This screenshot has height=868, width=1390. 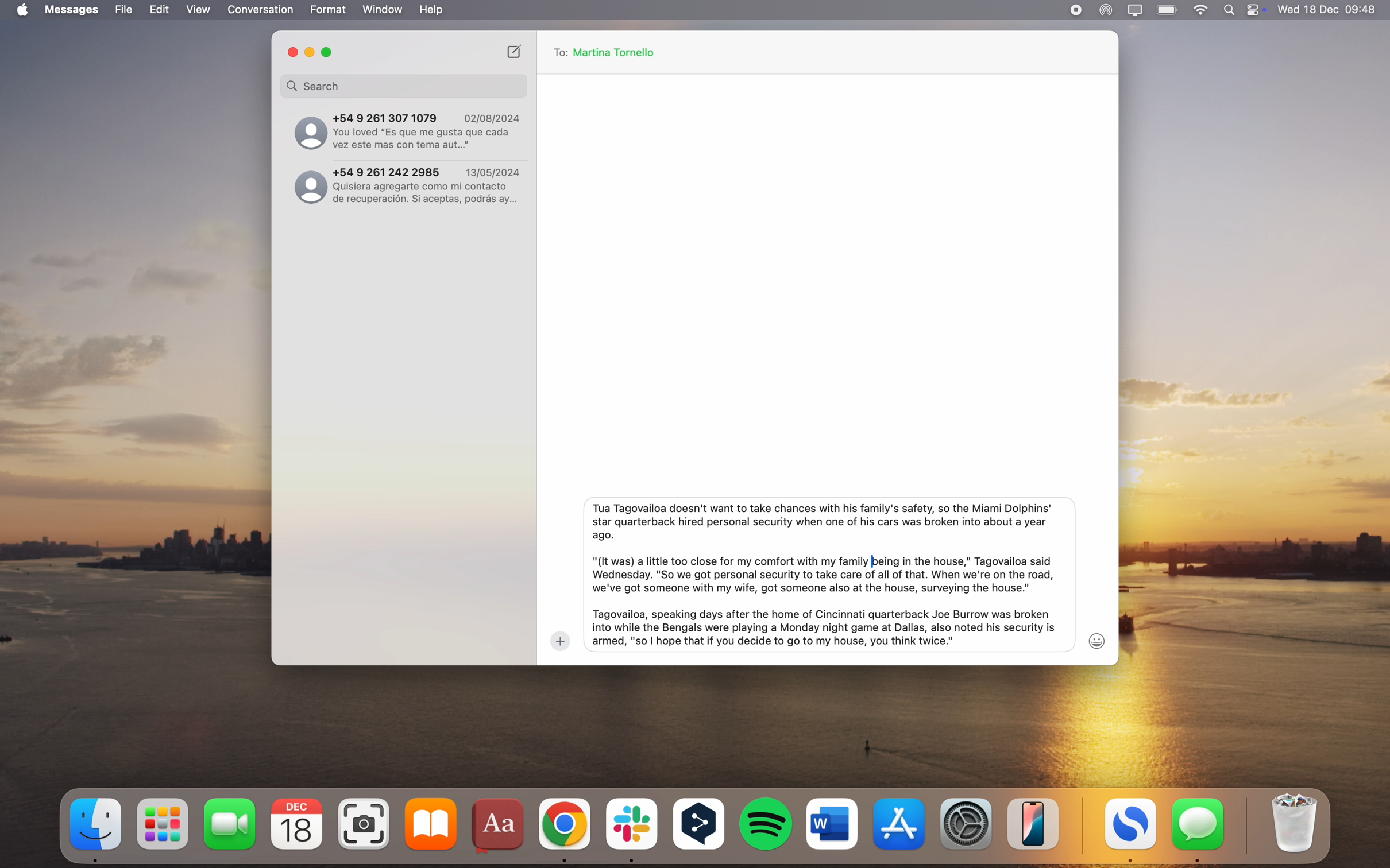 I want to click on Tua Tagovailoa doesn't want to take chances with his family's safety, so the Miami Dolphins’
star quarterback hired personal security when one of his cars was broken into about a year
ago.

"(It was) a little too close for my comfort with my family being in the house," Tagovailoa said
Wednesday. "So we got personal security to take care of all of that. When we're on the road,
we've got someone with my wife, got someone also at the house, surveying the house."
Tagovailoa, speaking days after the home of Cincinnati quarterback Joe Burrow was broken
into while the Bengals were playing a Monday night game at Dallas, also noted his security is
armed, "so | hope that if you decide to go to my house, you think twice.", so click(x=824, y=573).